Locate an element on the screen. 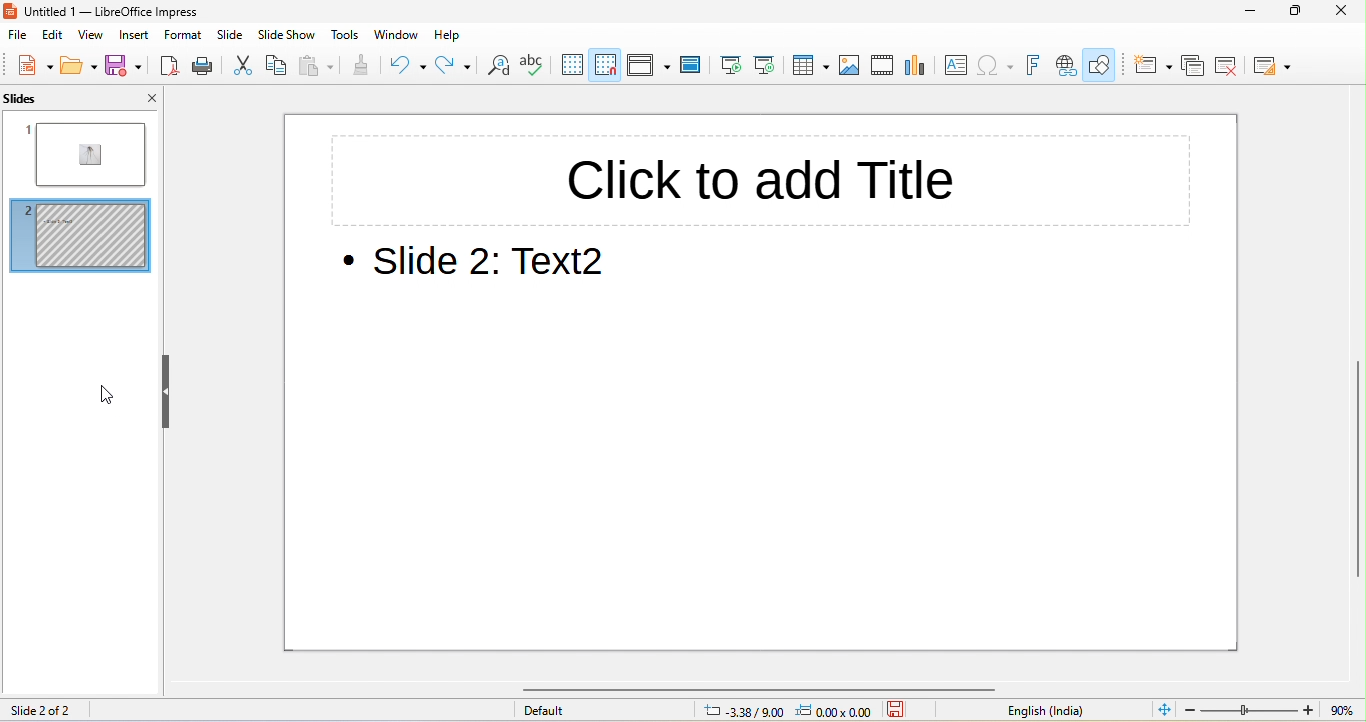 The image size is (1366, 722). start from first slide is located at coordinates (732, 65).